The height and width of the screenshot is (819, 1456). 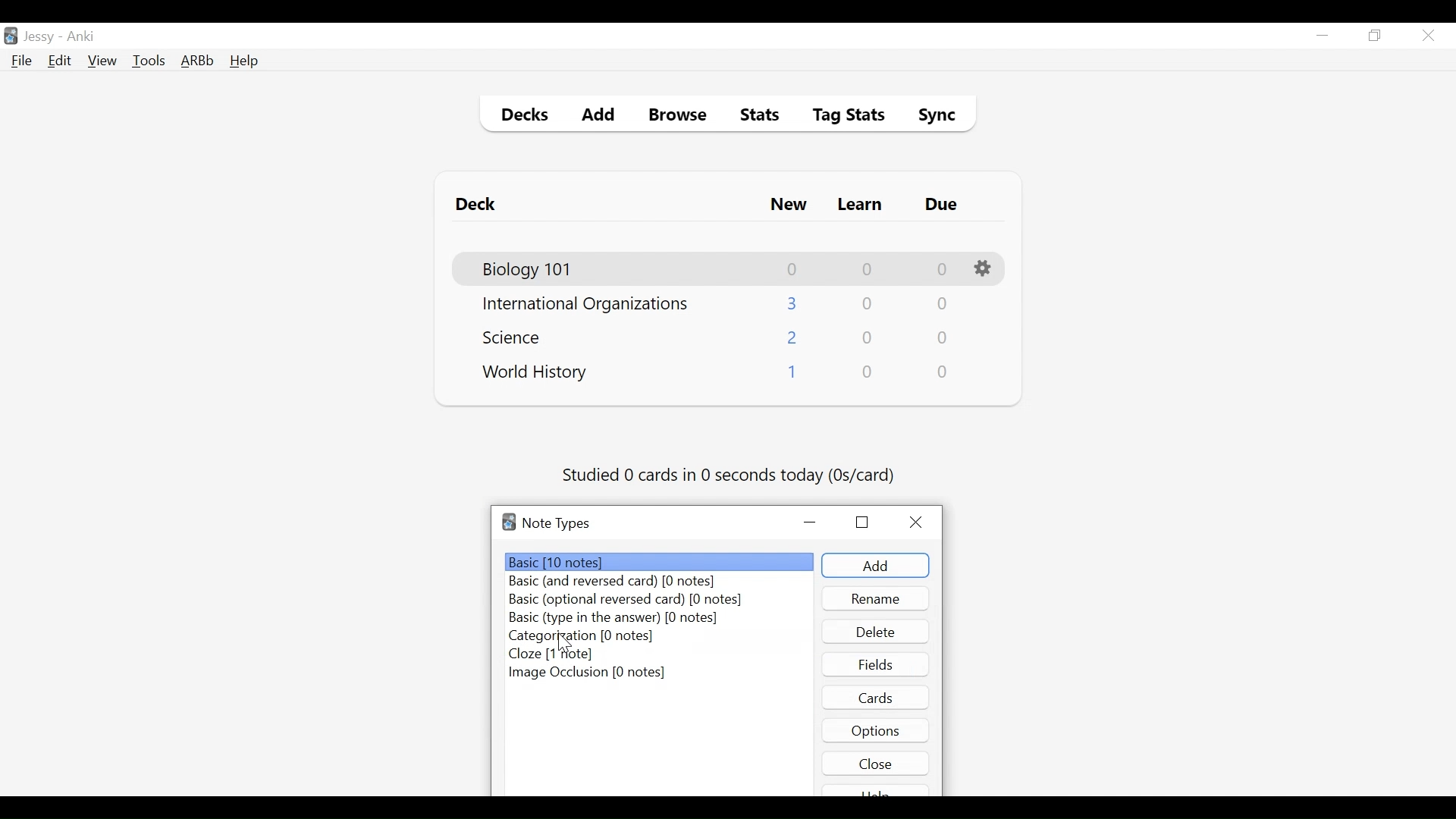 What do you see at coordinates (620, 582) in the screenshot?
I see `Basic (and reversed card)  (number of notes)` at bounding box center [620, 582].